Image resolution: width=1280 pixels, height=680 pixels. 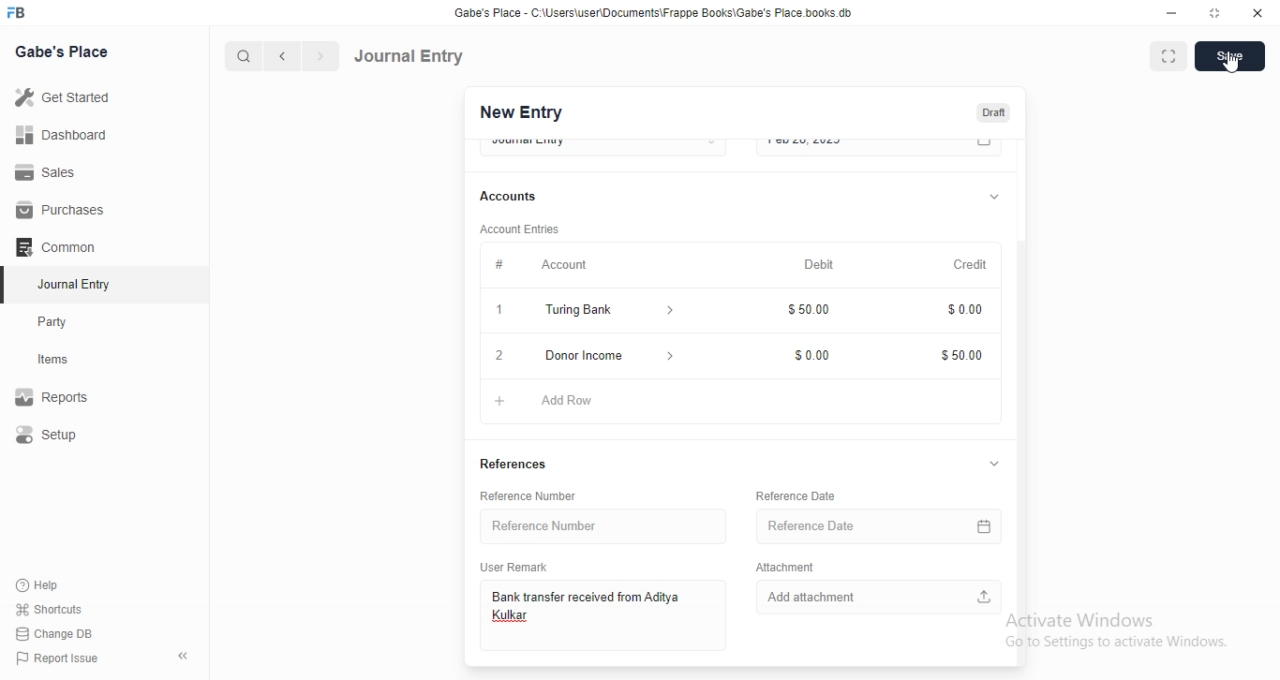 I want to click on turing bank, so click(x=605, y=312).